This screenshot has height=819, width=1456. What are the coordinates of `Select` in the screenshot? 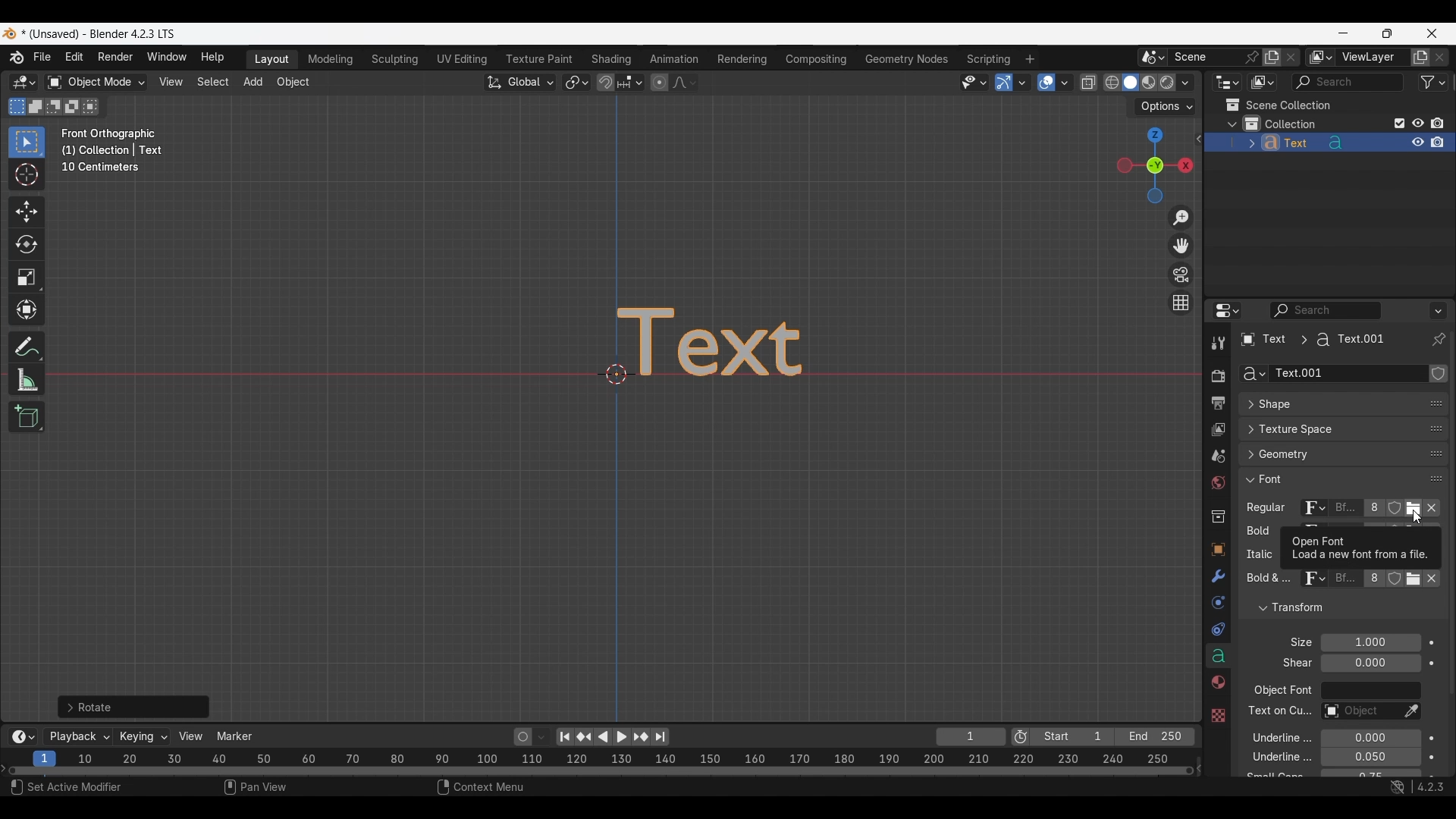 It's located at (75, 789).